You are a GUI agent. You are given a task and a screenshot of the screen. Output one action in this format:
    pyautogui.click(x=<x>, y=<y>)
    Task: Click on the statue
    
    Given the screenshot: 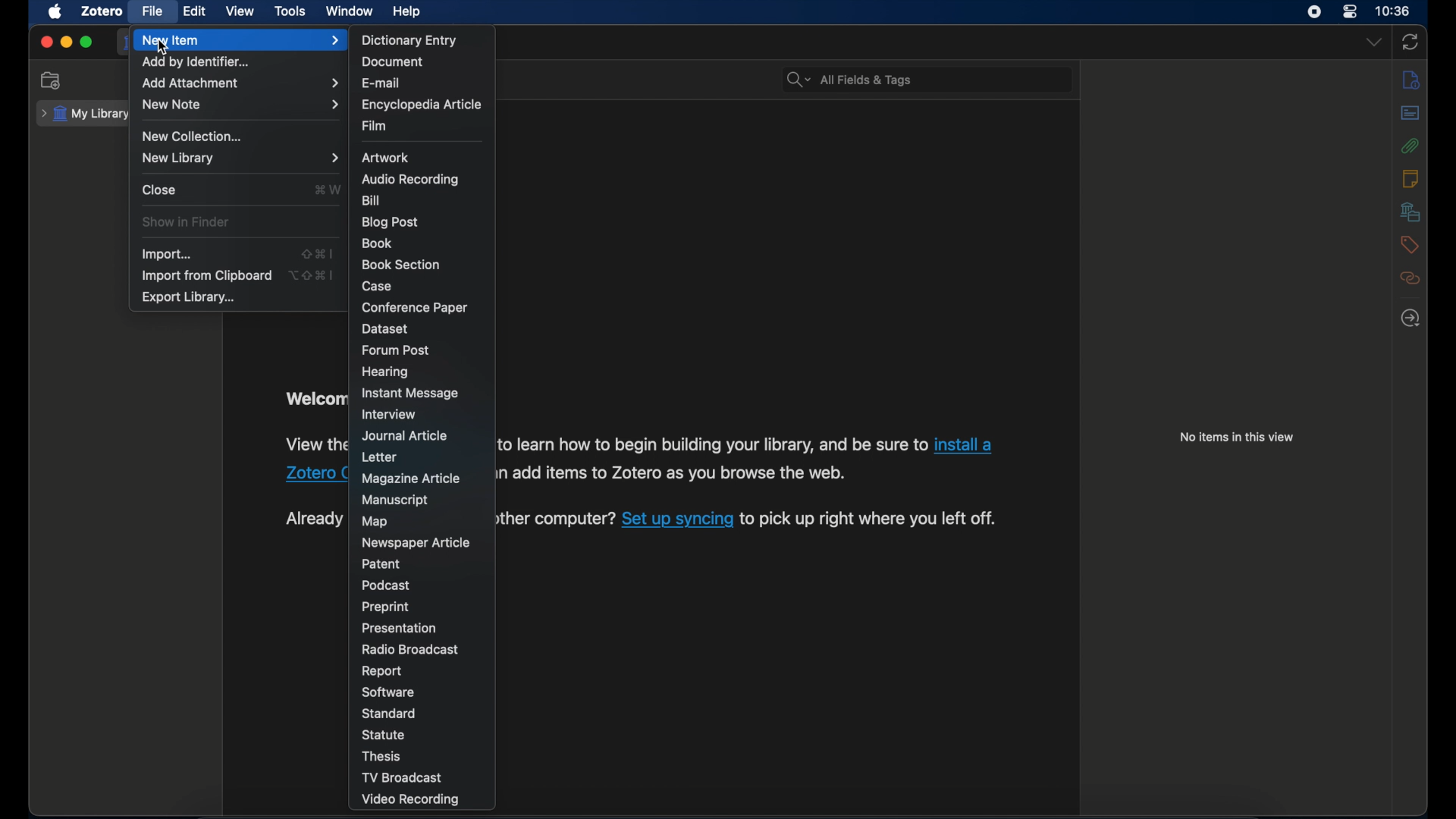 What is the action you would take?
    pyautogui.click(x=384, y=734)
    